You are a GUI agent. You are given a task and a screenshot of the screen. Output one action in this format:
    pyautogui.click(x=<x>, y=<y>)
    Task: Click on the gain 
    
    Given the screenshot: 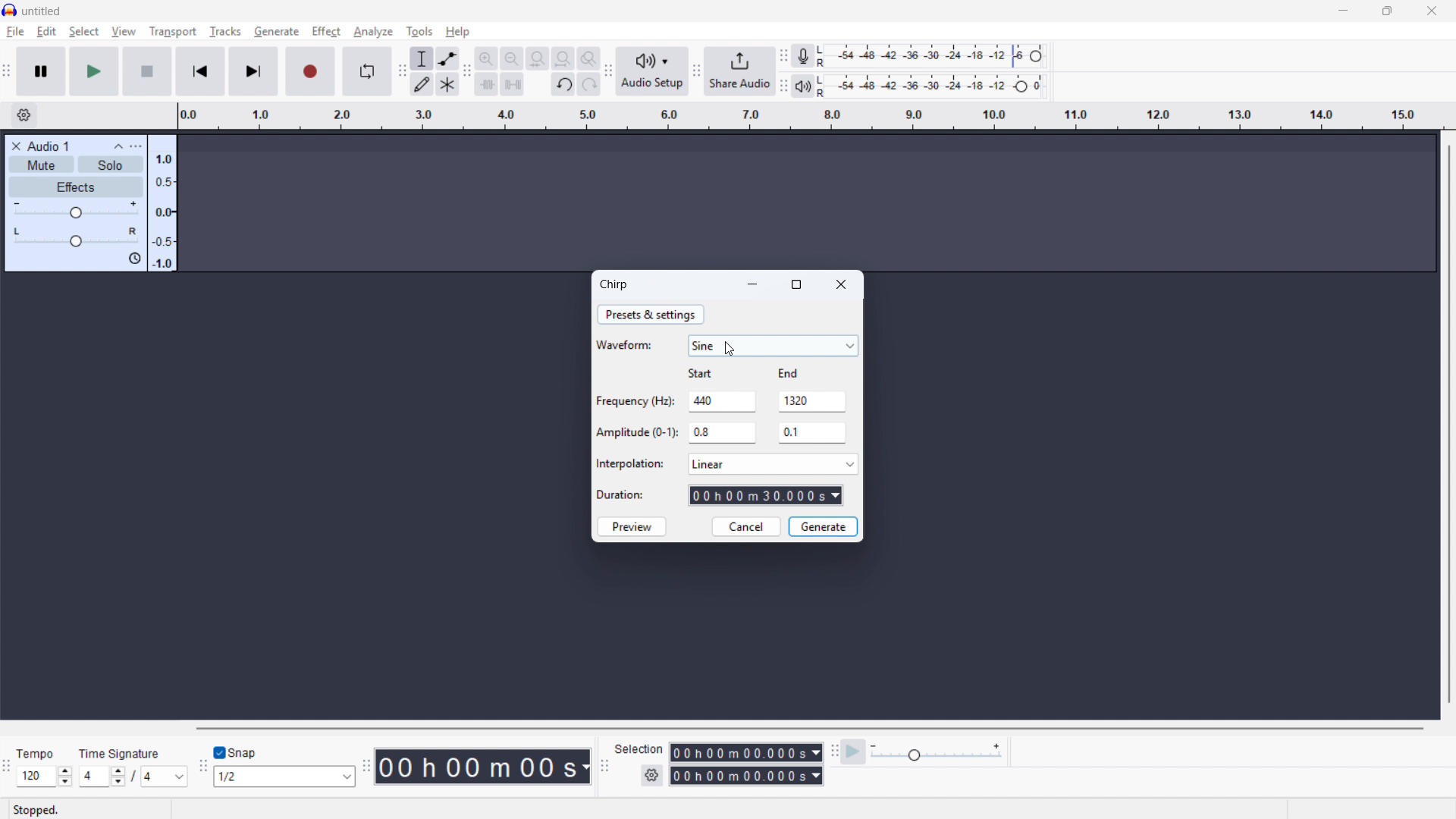 What is the action you would take?
    pyautogui.click(x=77, y=209)
    